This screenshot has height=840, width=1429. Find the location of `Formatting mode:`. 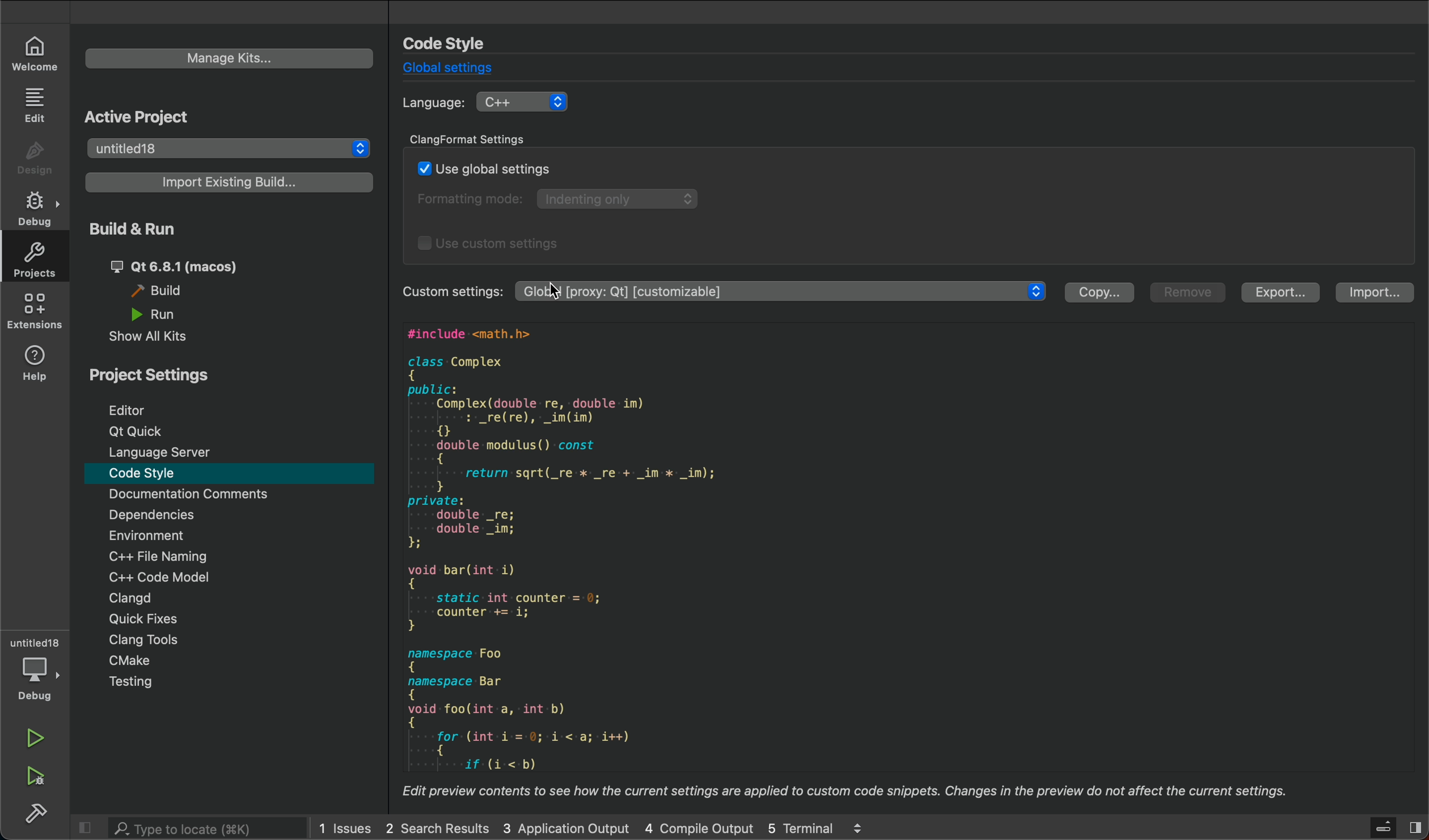

Formatting mode: is located at coordinates (473, 198).